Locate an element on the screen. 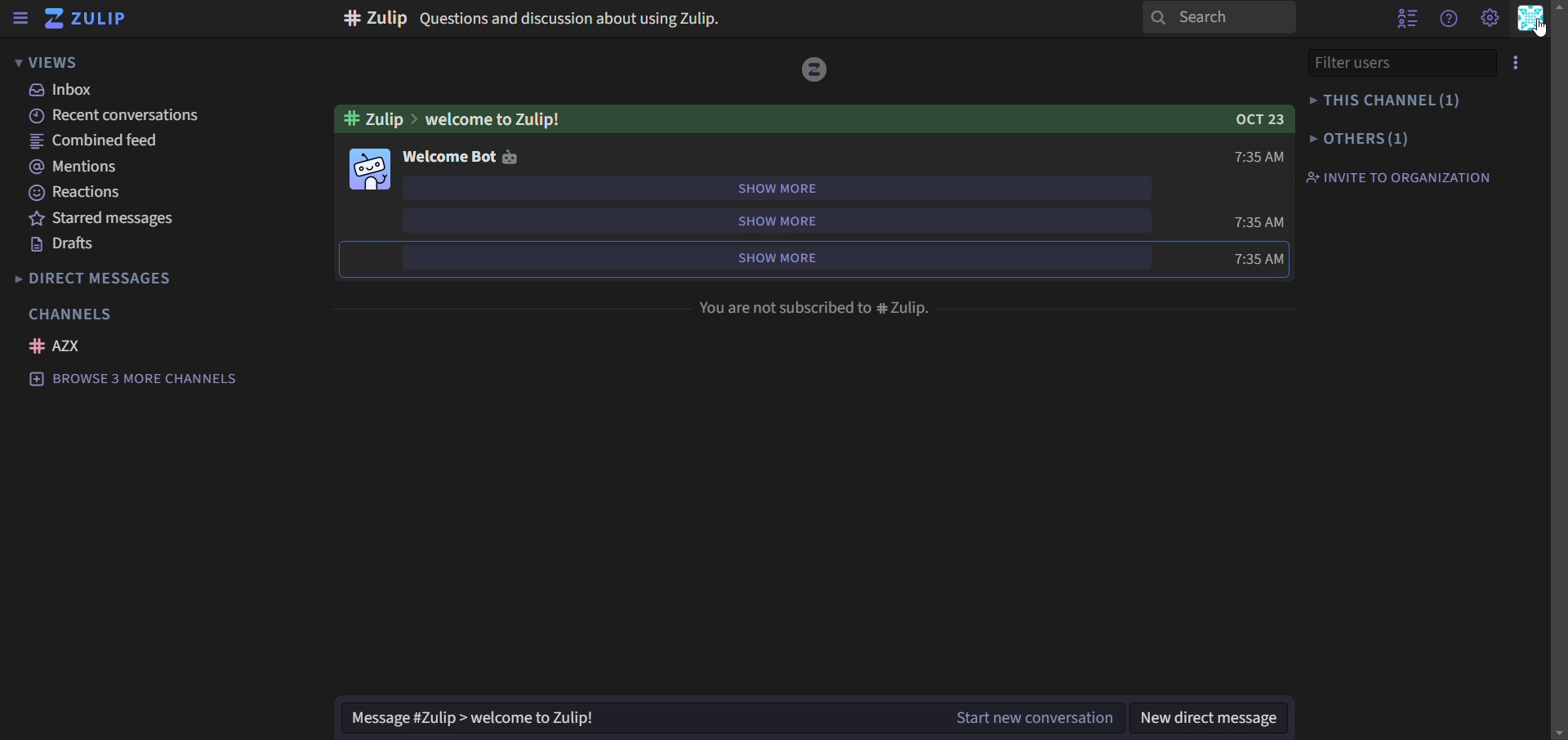 The width and height of the screenshot is (1568, 740). main menu is located at coordinates (1490, 17).